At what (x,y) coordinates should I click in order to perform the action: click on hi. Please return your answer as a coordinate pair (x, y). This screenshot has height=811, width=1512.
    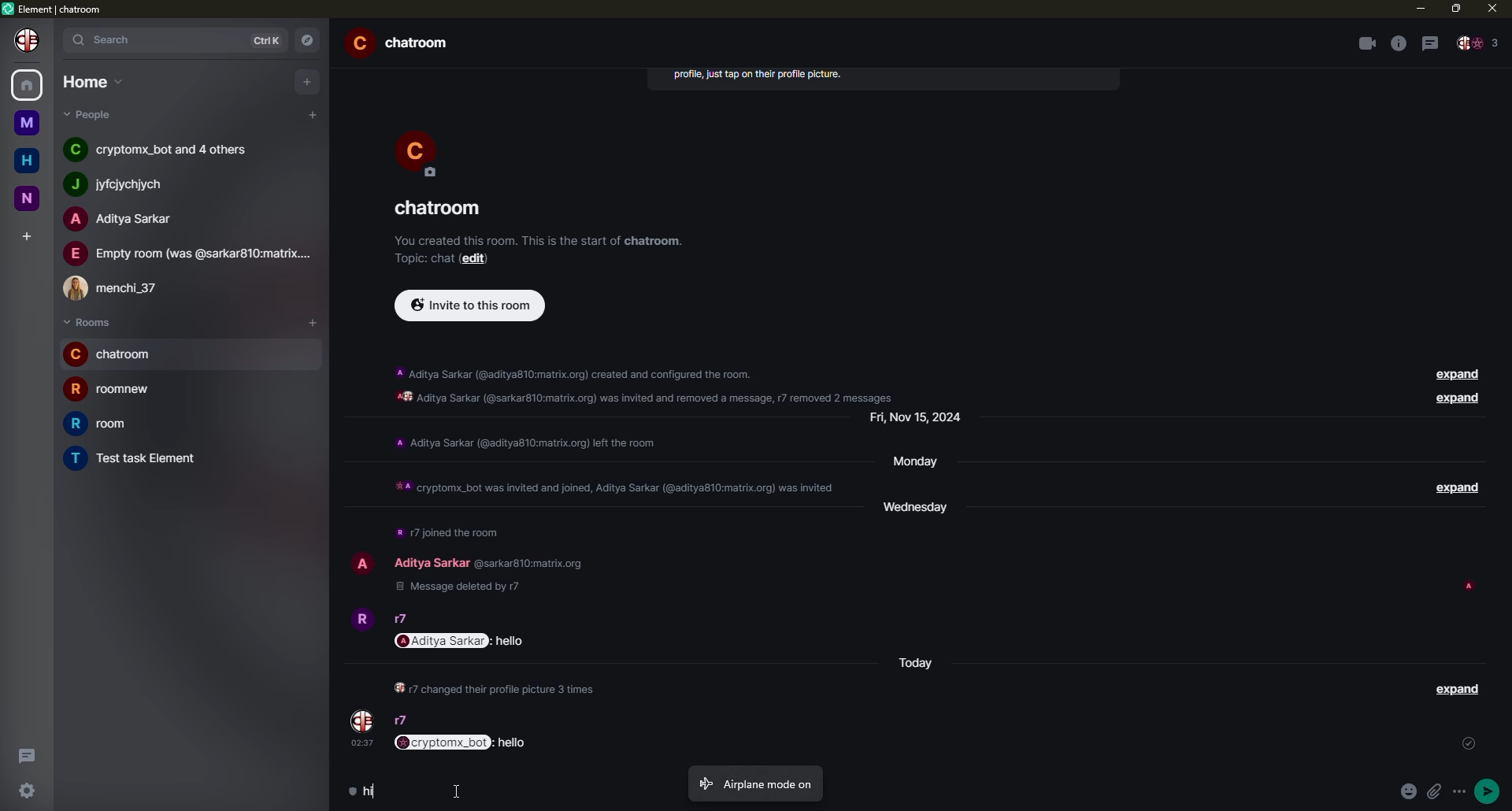
    Looking at the image, I should click on (361, 790).